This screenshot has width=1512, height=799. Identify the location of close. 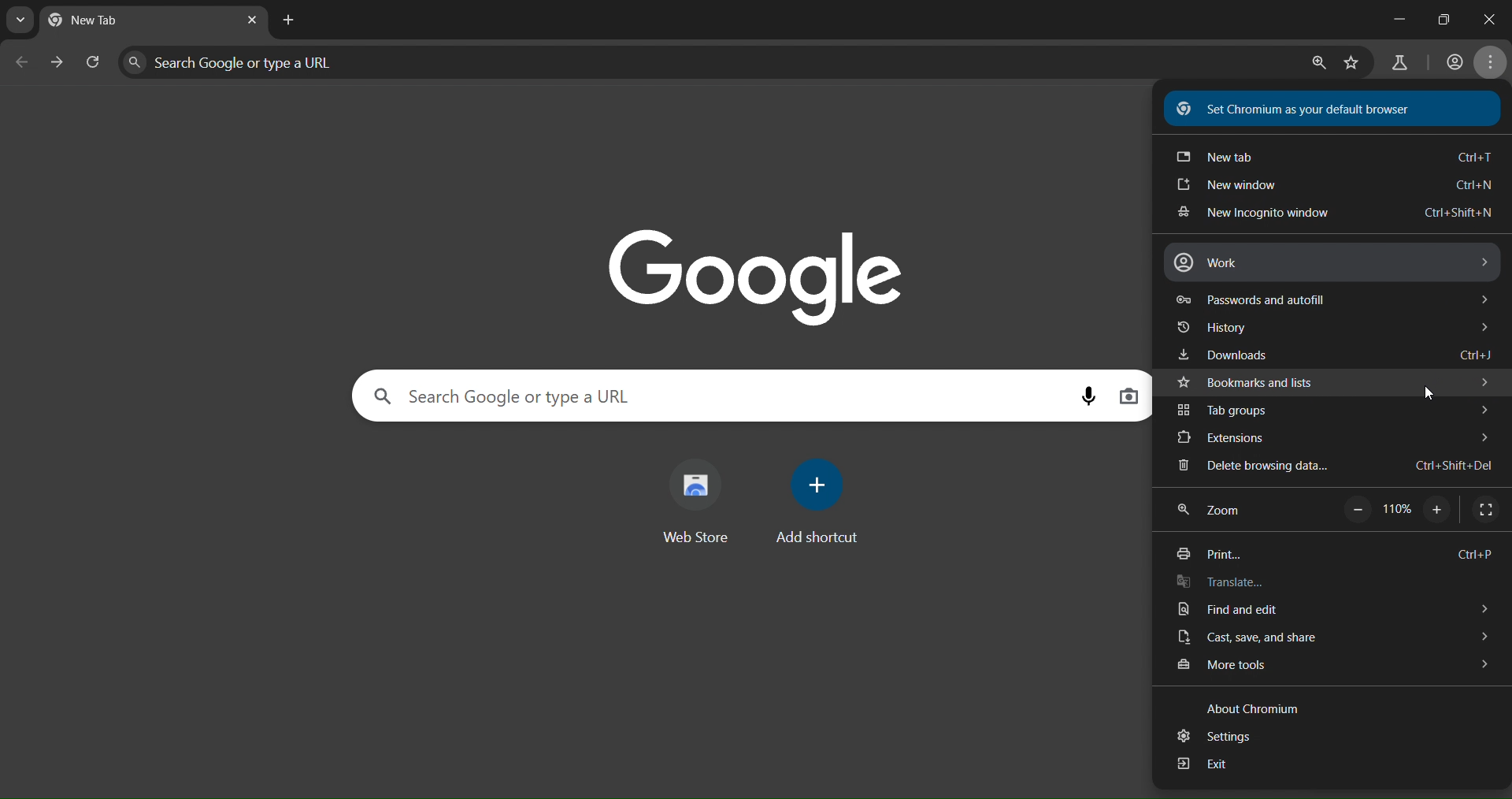
(1492, 17).